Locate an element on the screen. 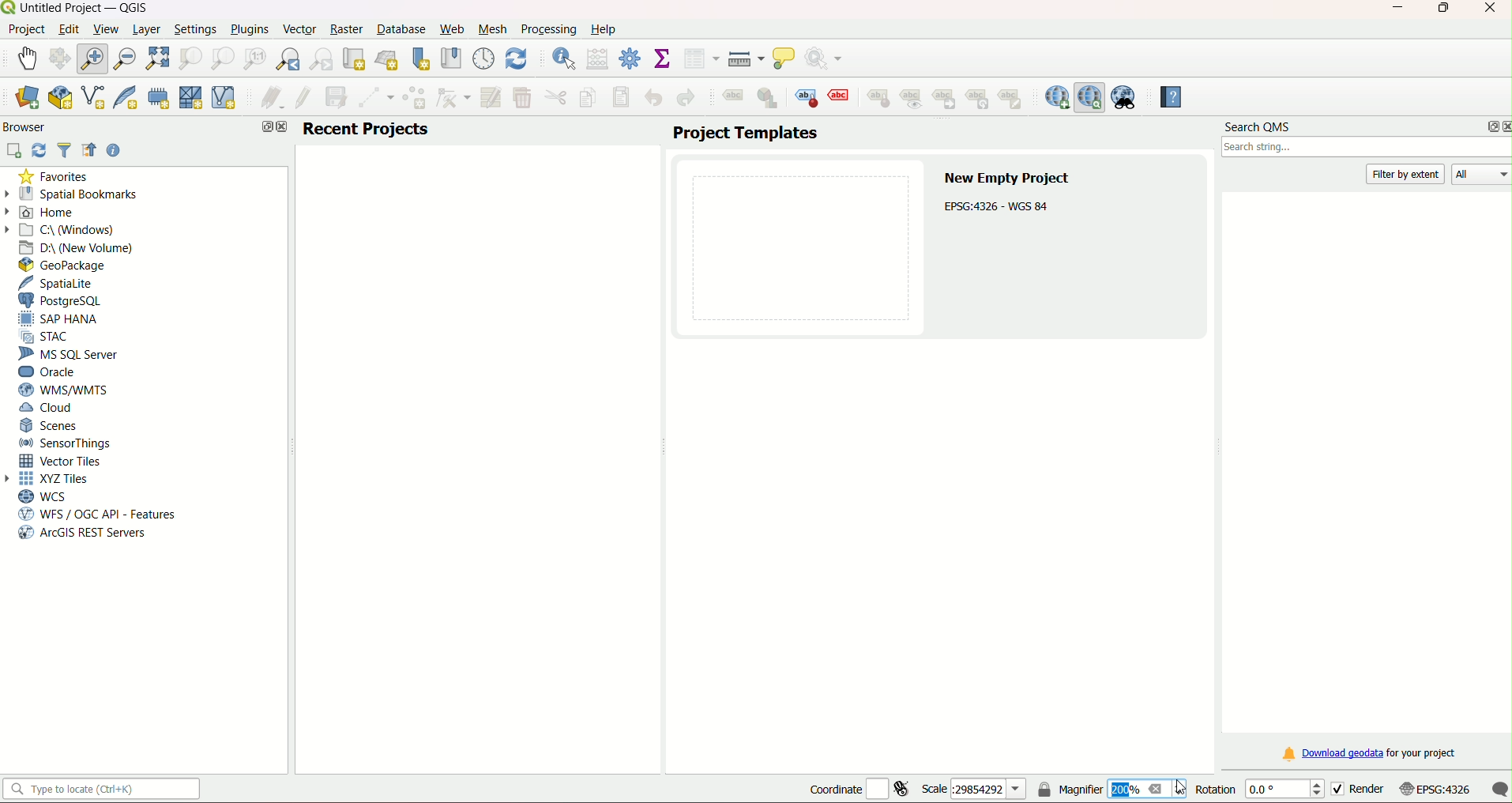  refresh is located at coordinates (39, 150).